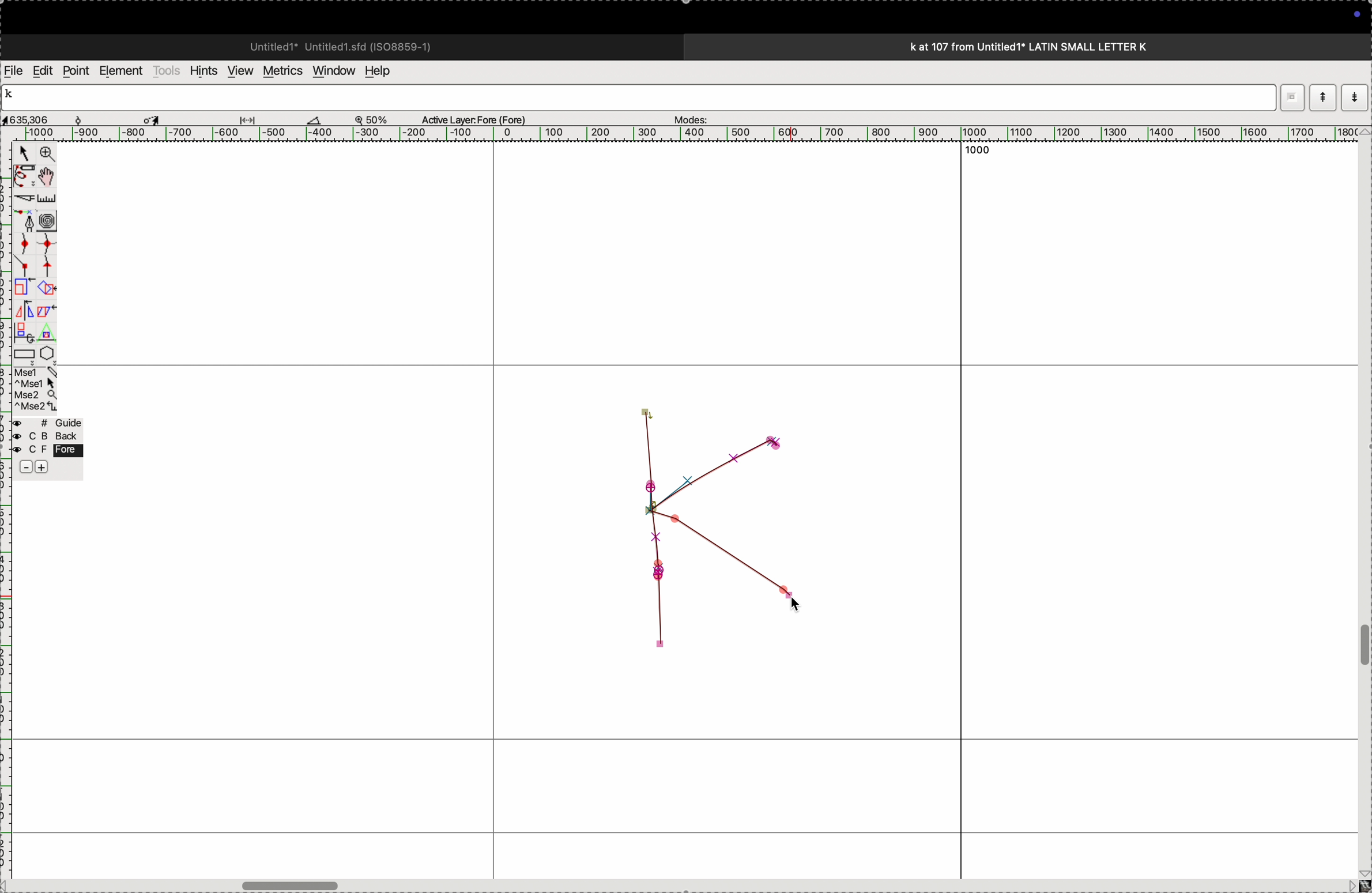 Image resolution: width=1372 pixels, height=893 pixels. Describe the element at coordinates (1060, 46) in the screenshot. I see `title` at that location.